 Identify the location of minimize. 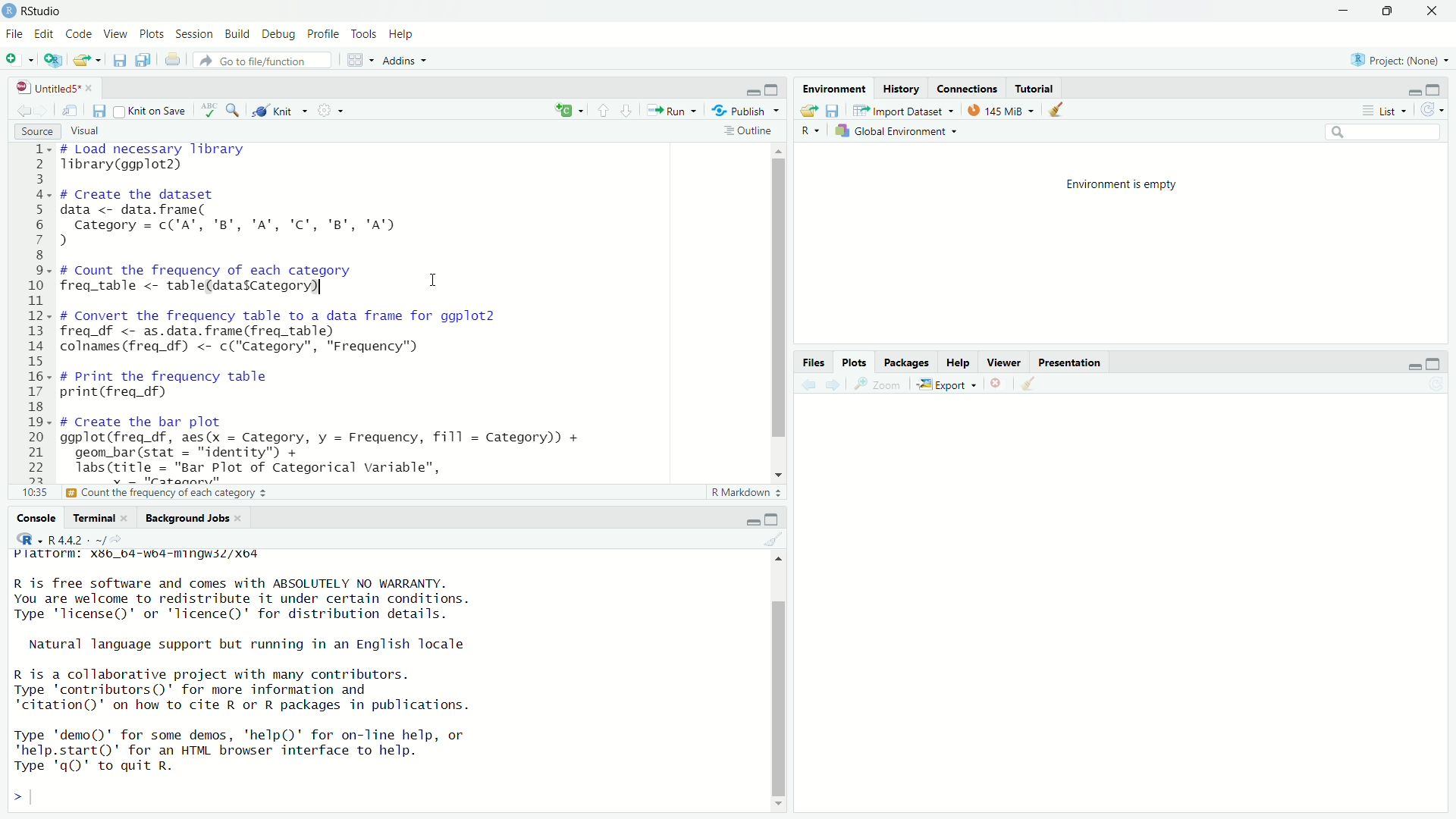
(1413, 91).